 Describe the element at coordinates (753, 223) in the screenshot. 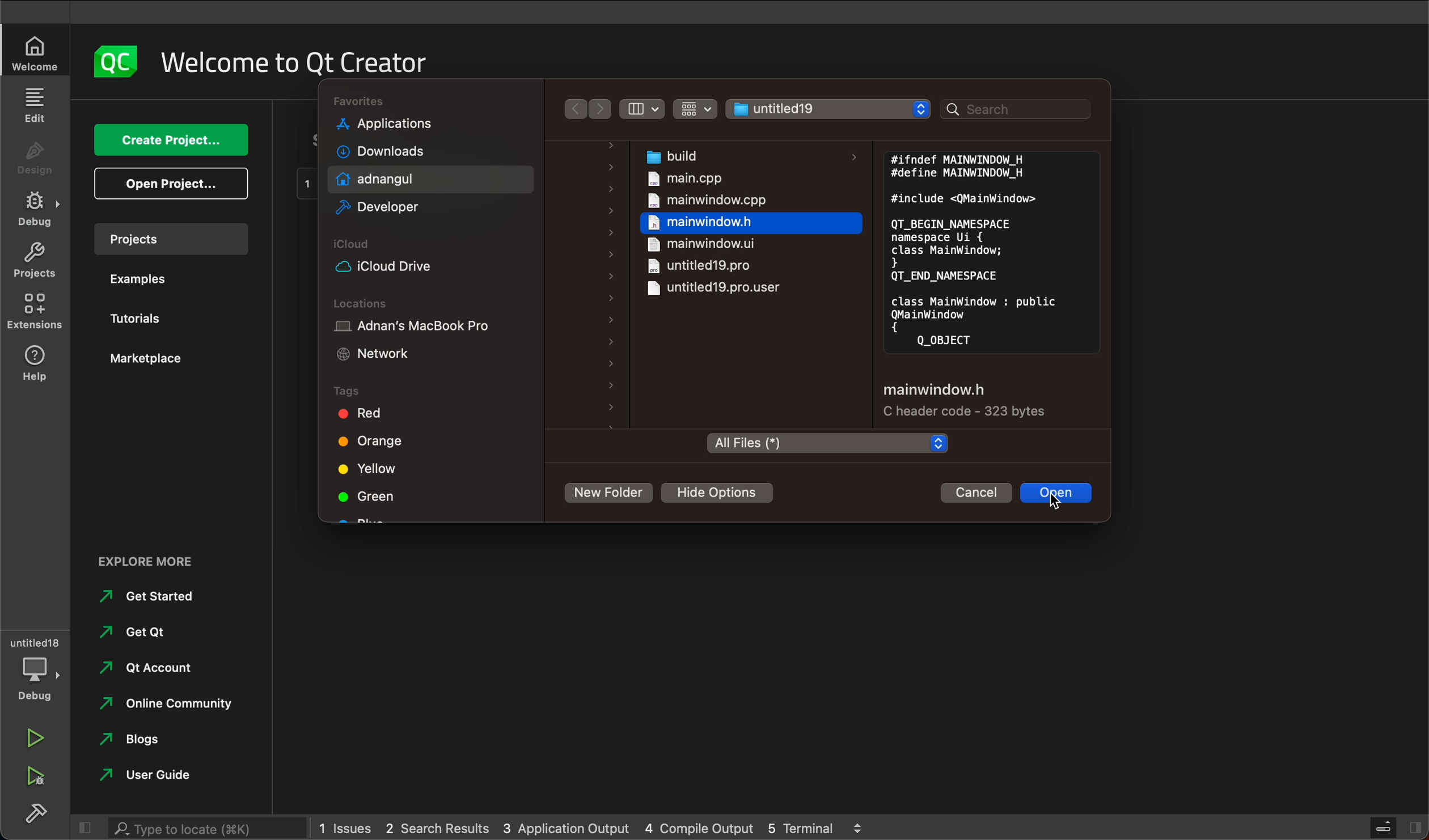

I see `mainwindow` at that location.